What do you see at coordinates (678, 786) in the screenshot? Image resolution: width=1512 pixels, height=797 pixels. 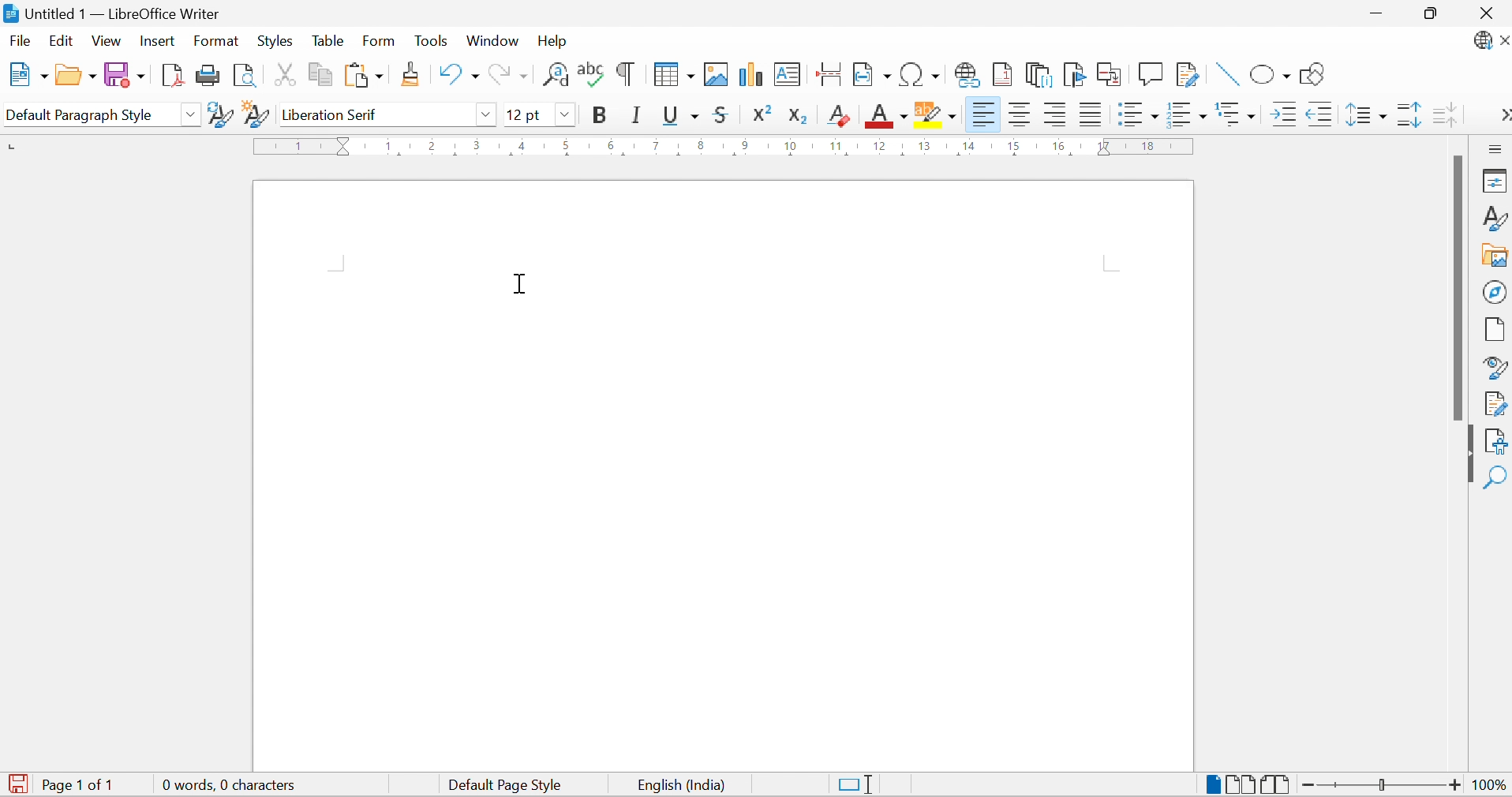 I see `English (India)` at bounding box center [678, 786].